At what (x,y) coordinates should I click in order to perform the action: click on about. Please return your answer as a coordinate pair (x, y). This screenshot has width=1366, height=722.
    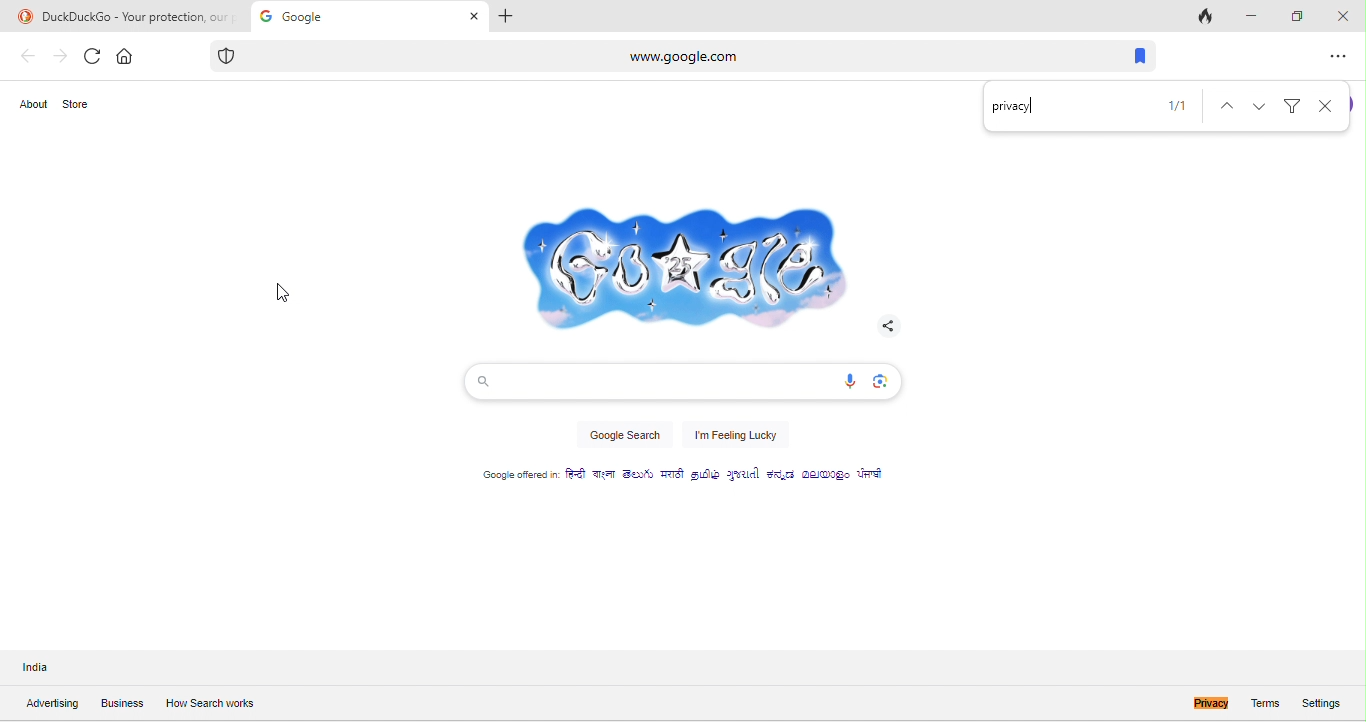
    Looking at the image, I should click on (36, 106).